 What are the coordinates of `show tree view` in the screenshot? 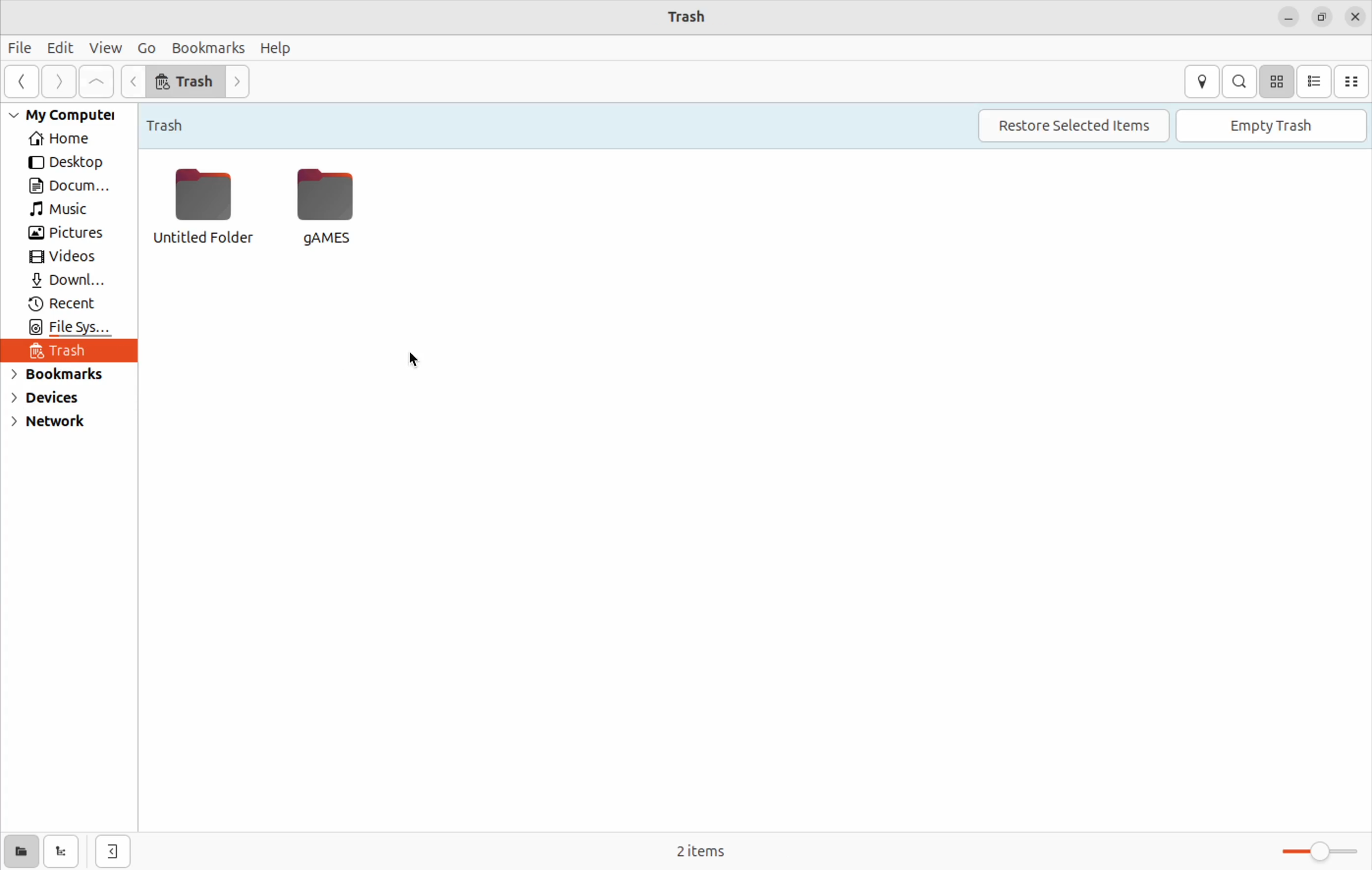 It's located at (64, 850).